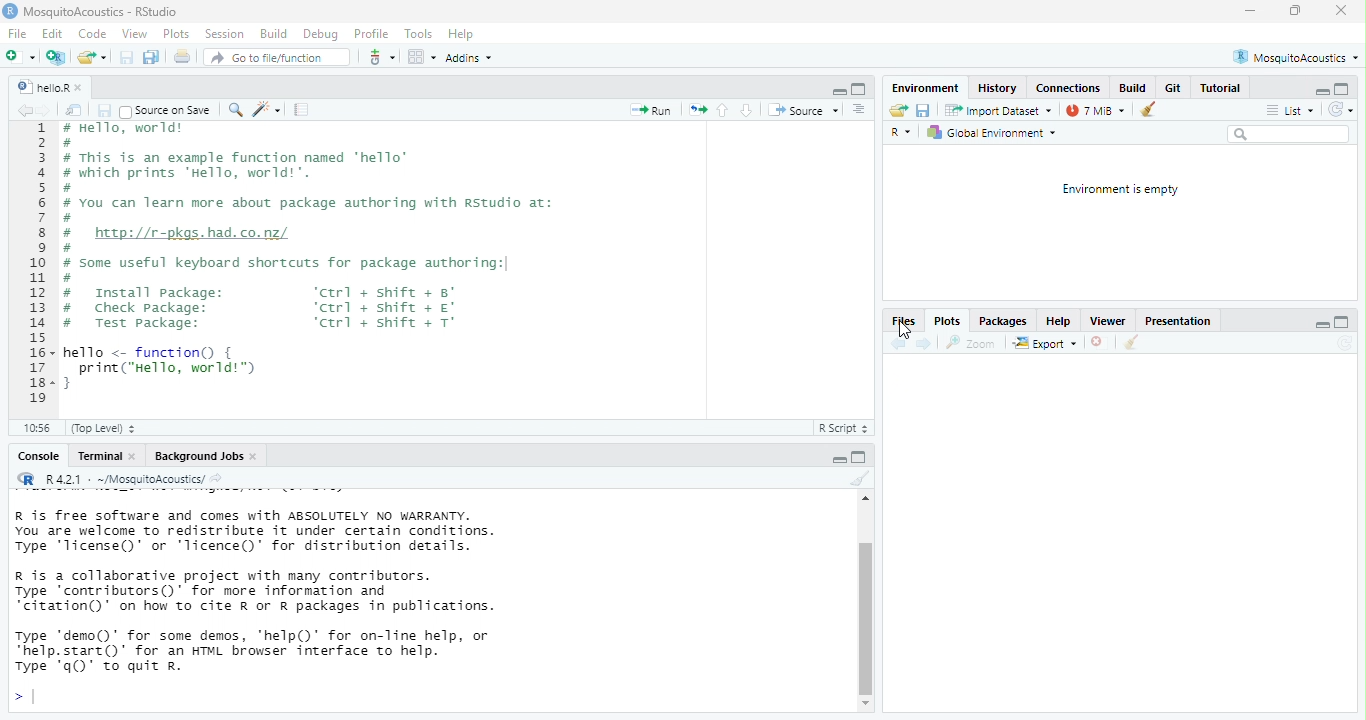 The image size is (1366, 720). I want to click on hide console, so click(1344, 320).